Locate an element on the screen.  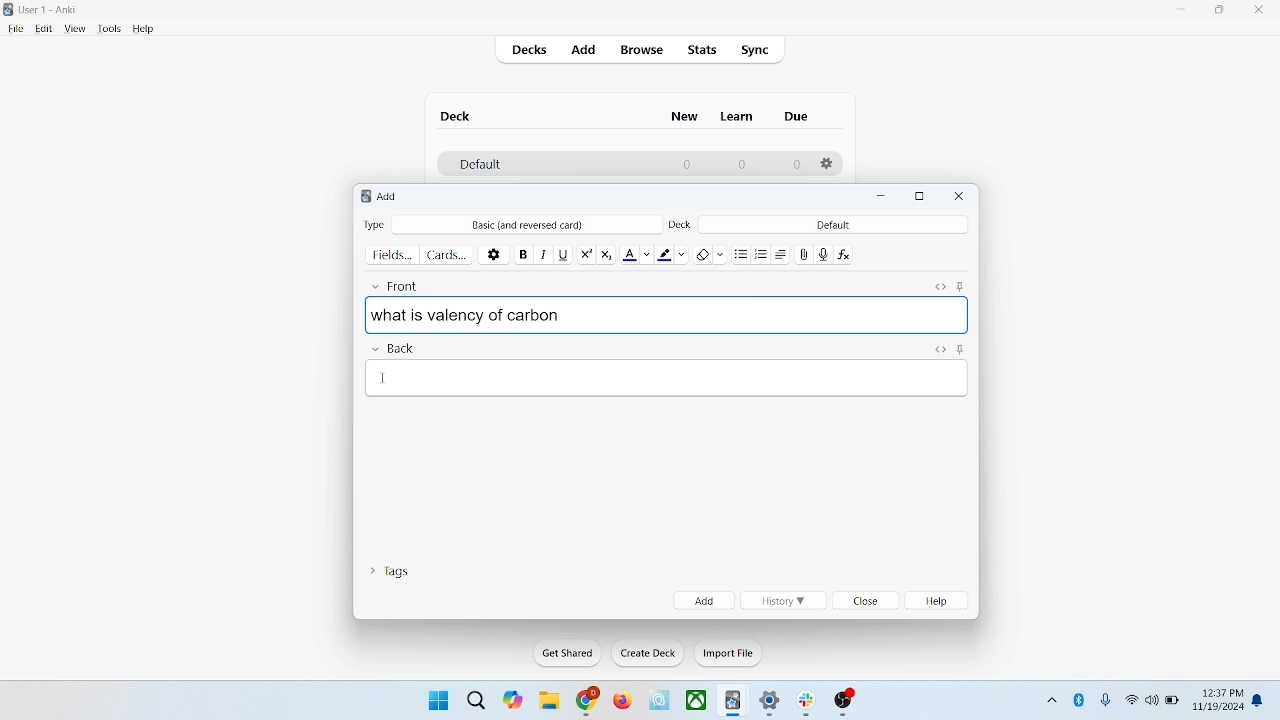
decks is located at coordinates (532, 52).